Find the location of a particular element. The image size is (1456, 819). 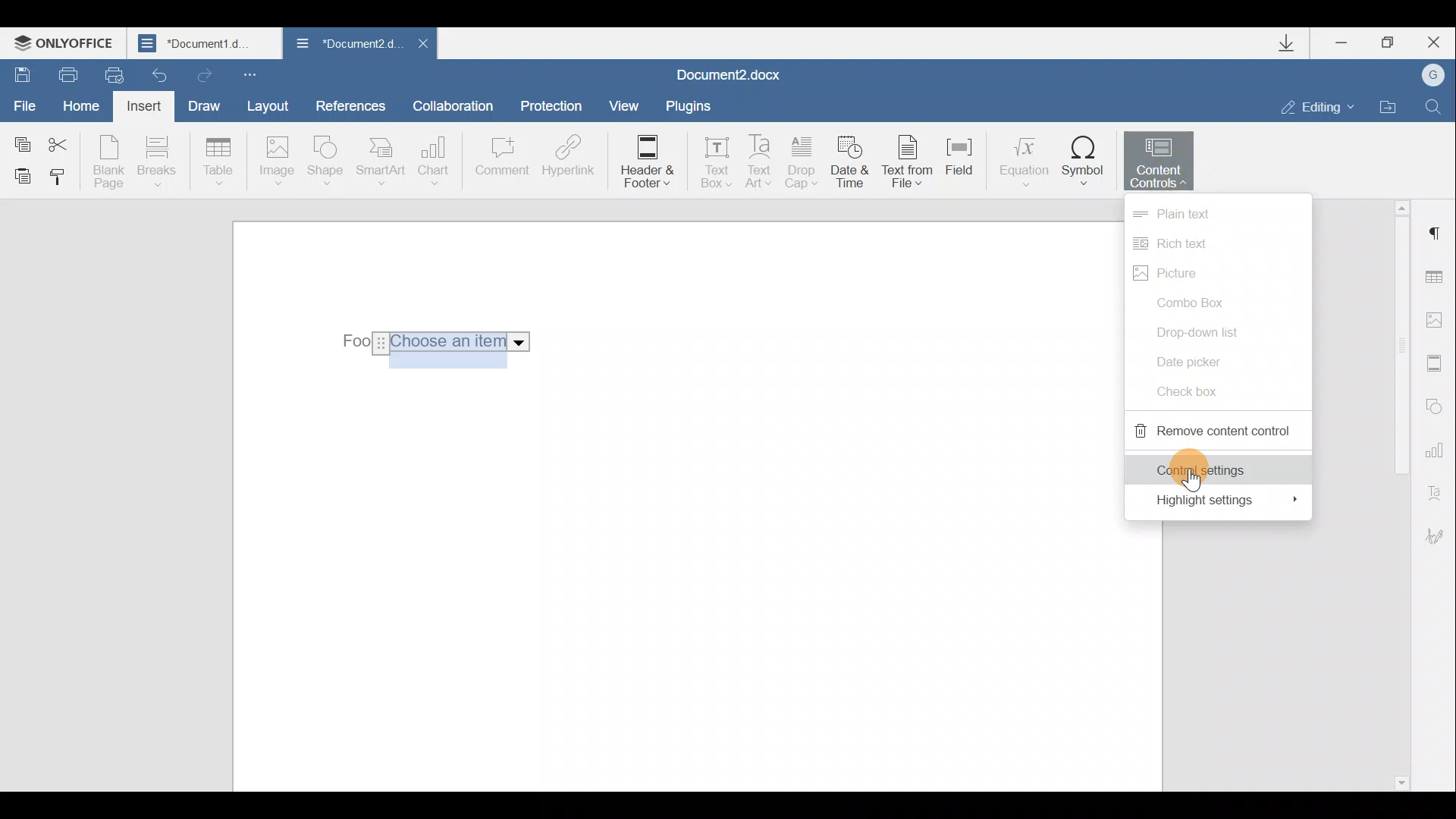

Account name is located at coordinates (1428, 76).